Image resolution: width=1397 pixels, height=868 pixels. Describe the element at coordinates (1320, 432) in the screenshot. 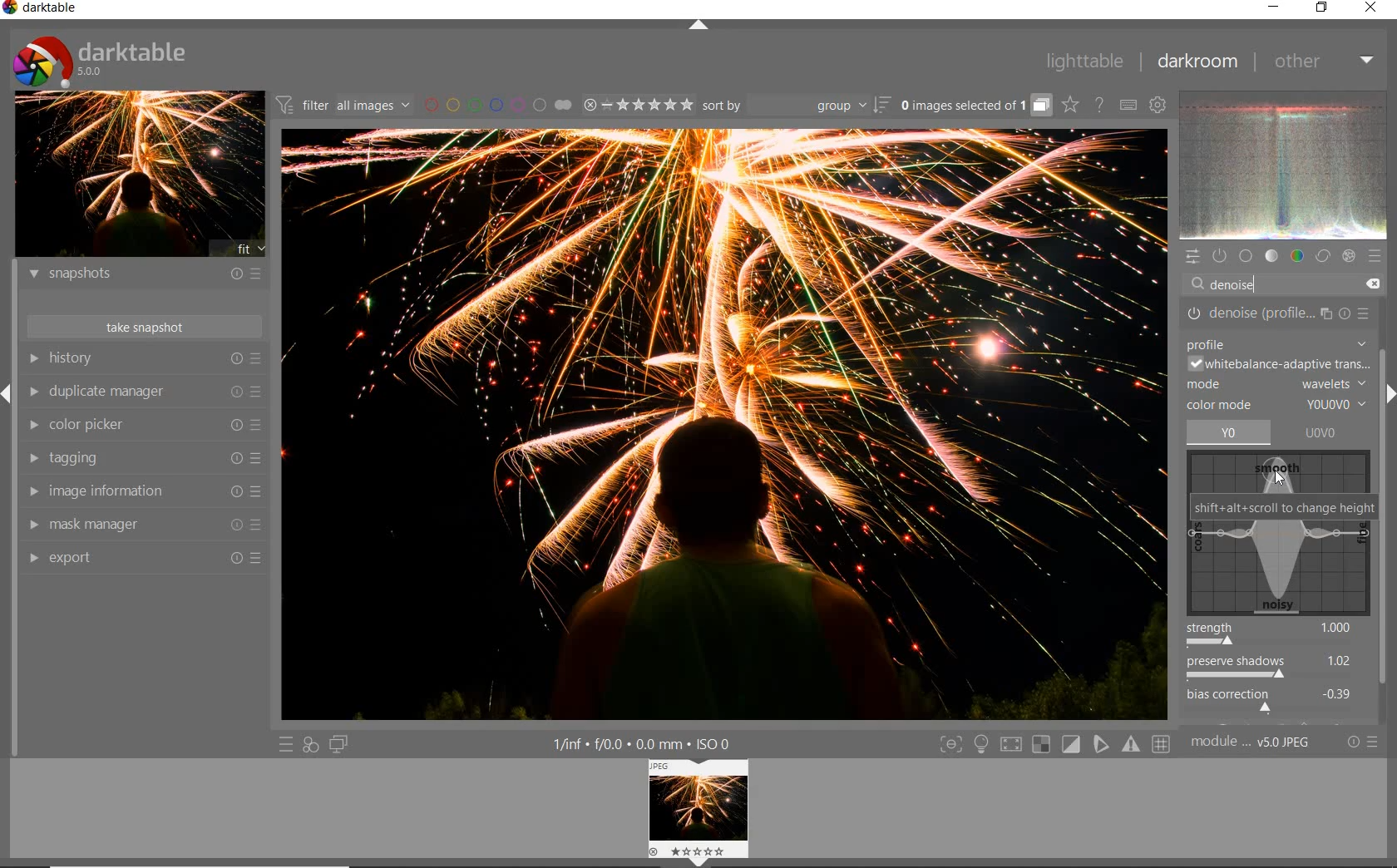

I see `UOVO` at that location.